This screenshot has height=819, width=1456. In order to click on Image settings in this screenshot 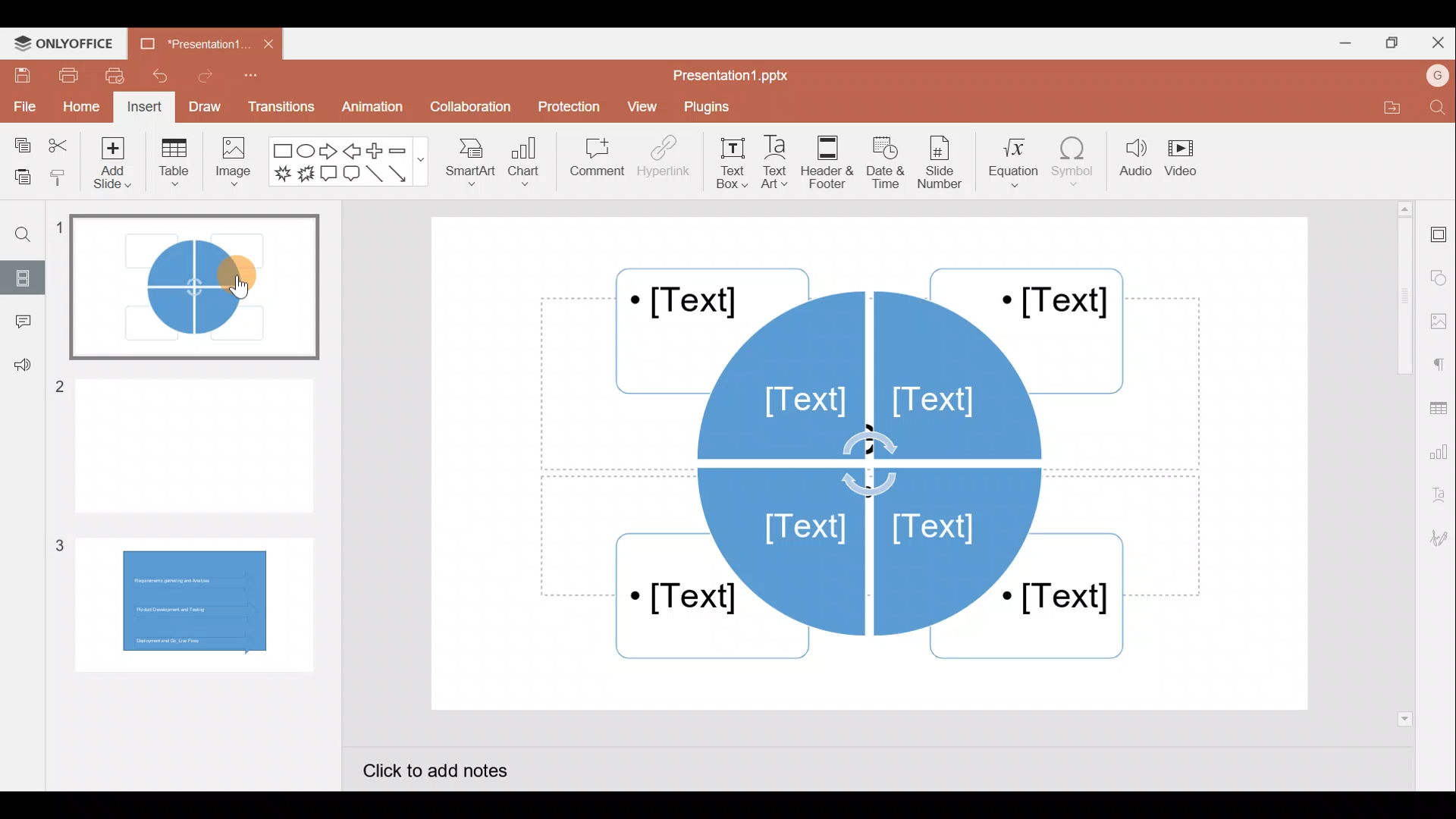, I will do `click(1437, 318)`.